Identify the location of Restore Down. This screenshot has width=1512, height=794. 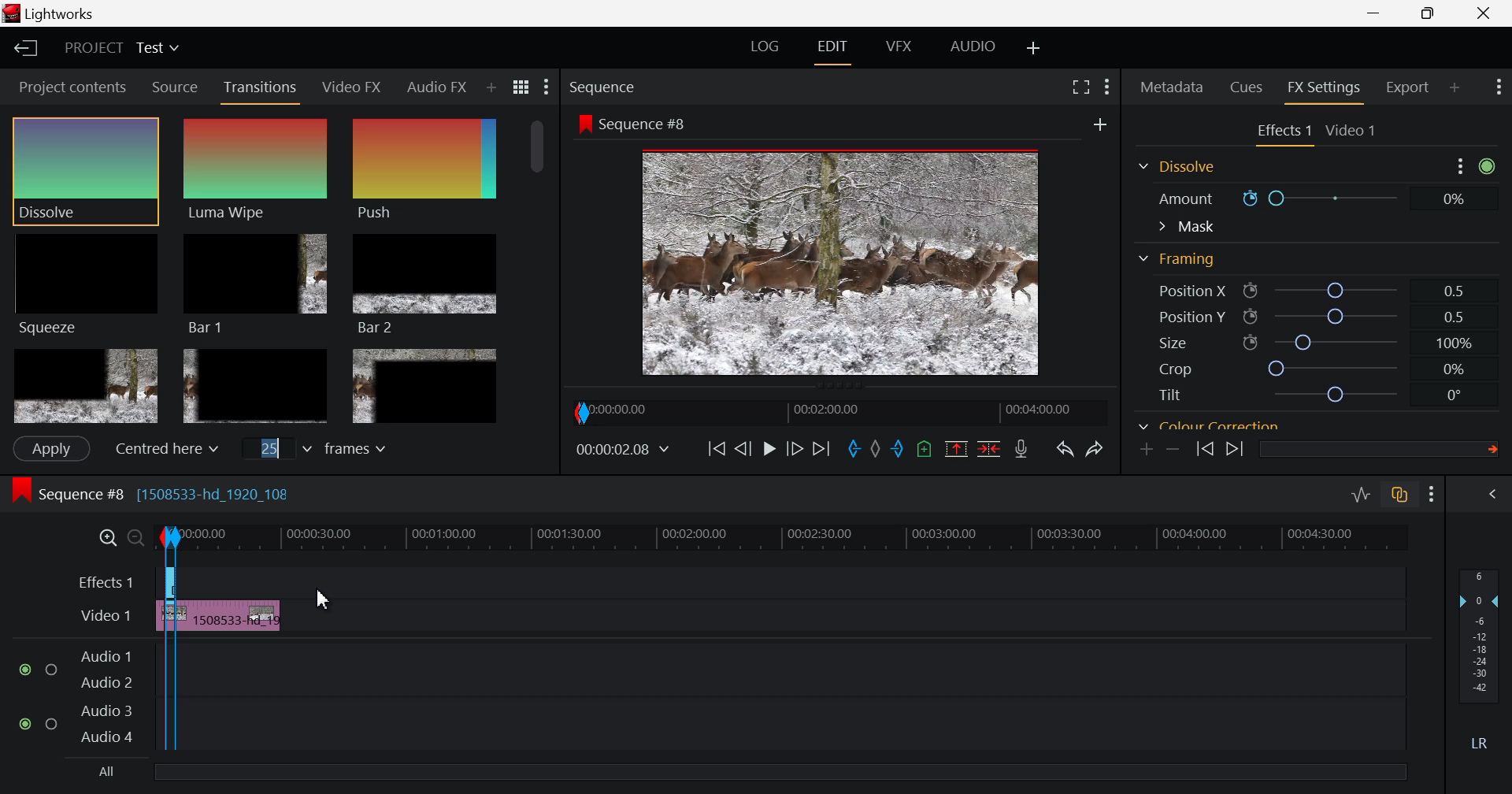
(1378, 13).